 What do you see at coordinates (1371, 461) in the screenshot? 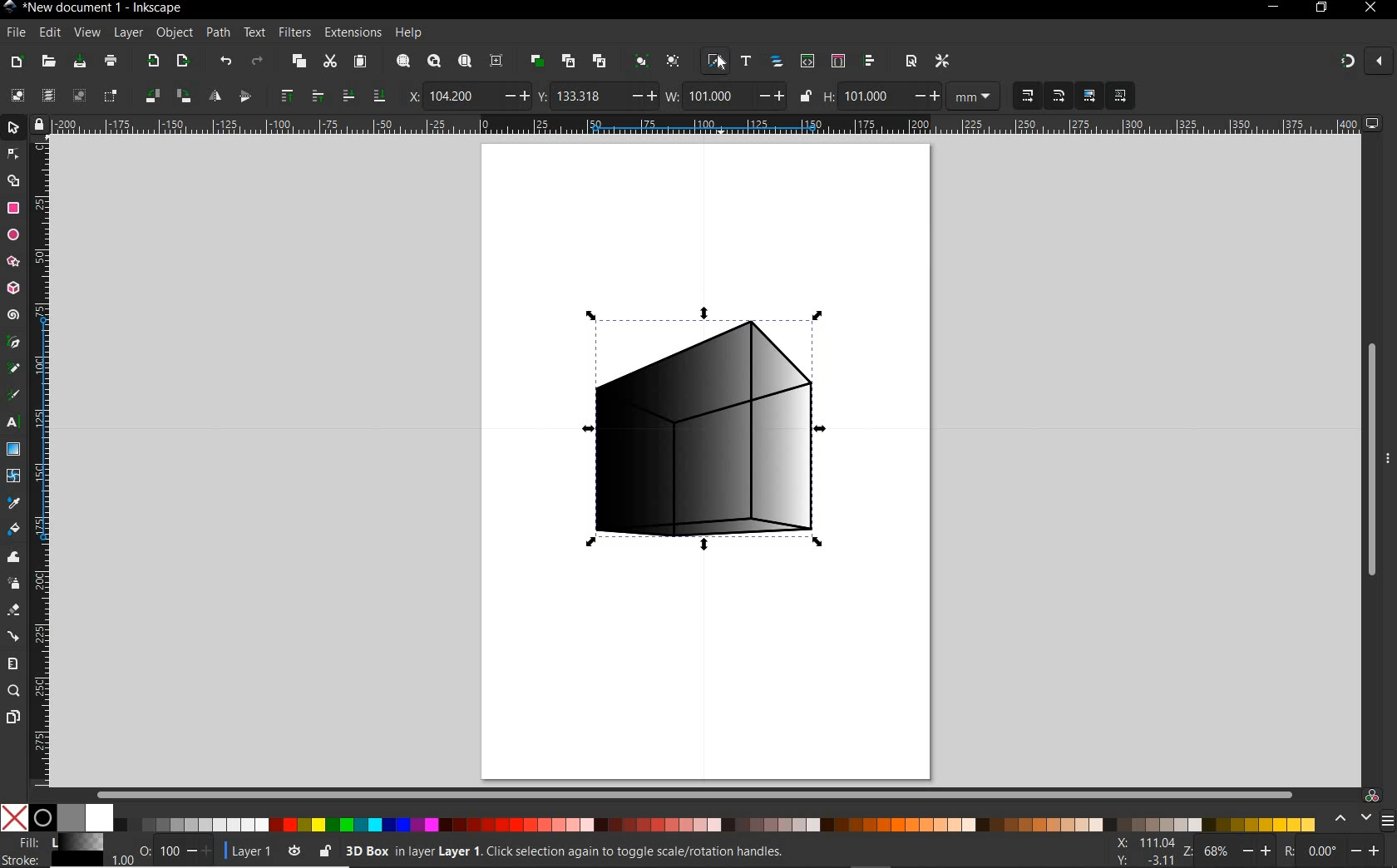
I see `SCROLLBAR` at bounding box center [1371, 461].